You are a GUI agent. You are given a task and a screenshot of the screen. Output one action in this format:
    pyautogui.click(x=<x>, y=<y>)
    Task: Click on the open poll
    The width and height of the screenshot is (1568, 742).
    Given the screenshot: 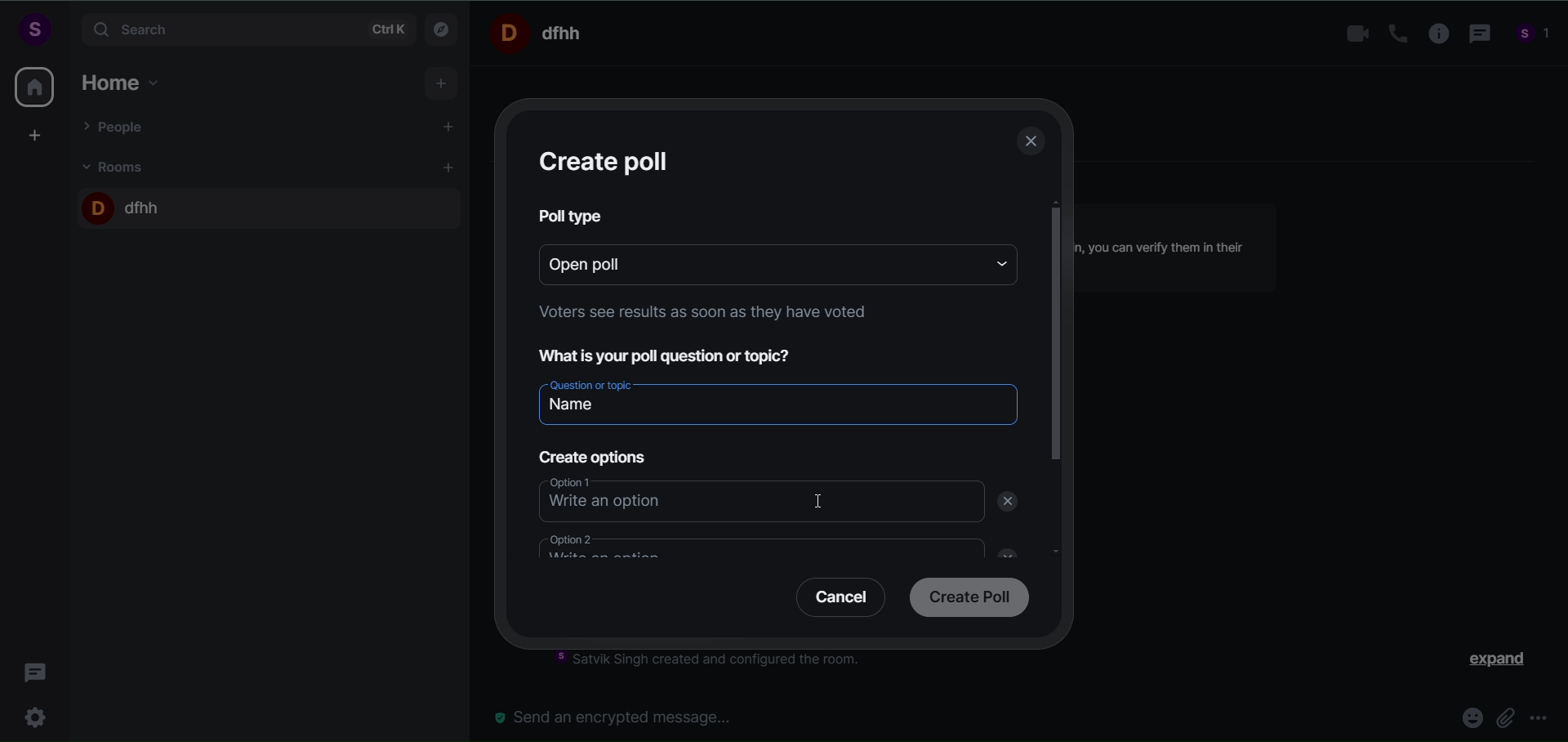 What is the action you would take?
    pyautogui.click(x=751, y=262)
    